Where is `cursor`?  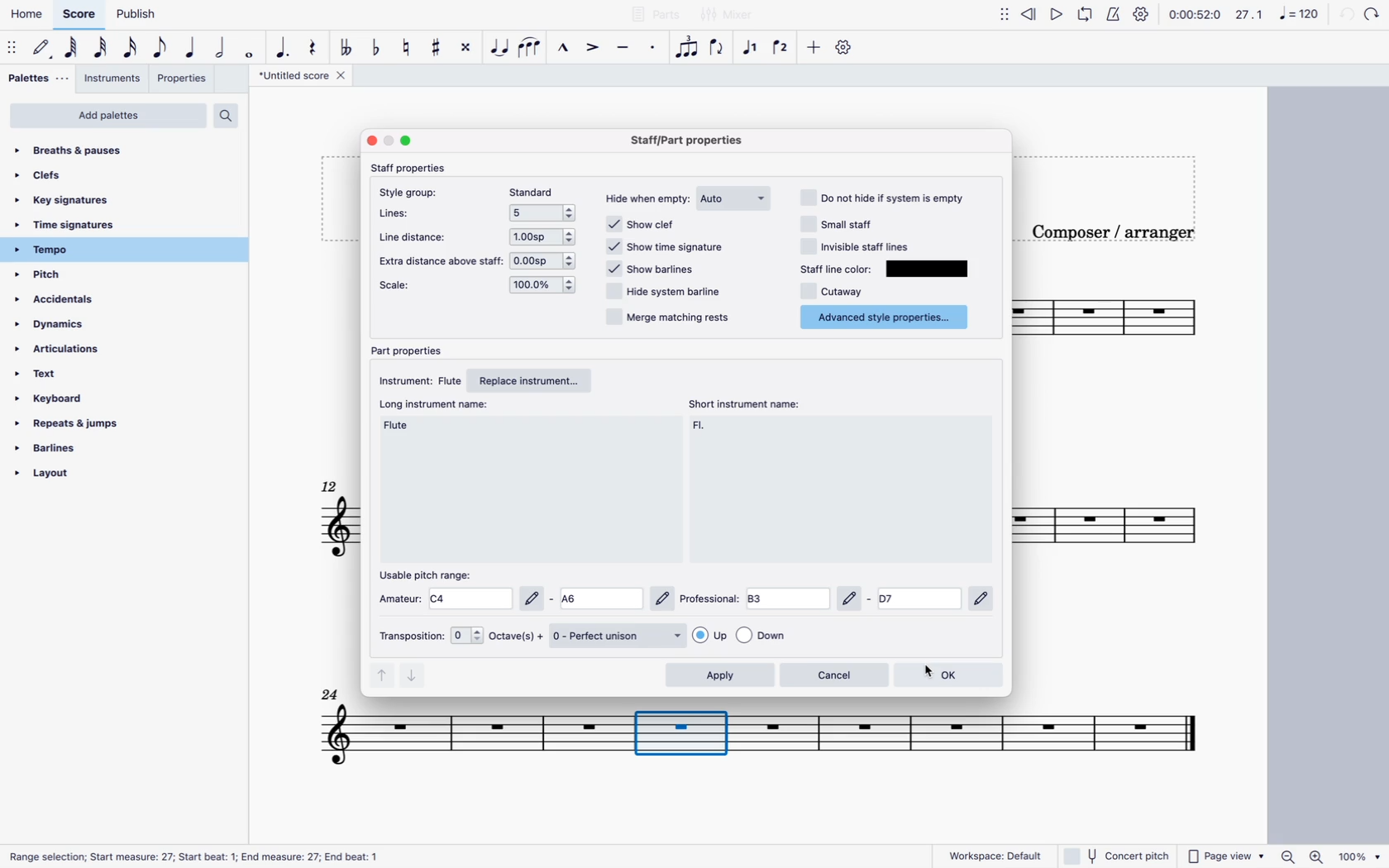 cursor is located at coordinates (930, 671).